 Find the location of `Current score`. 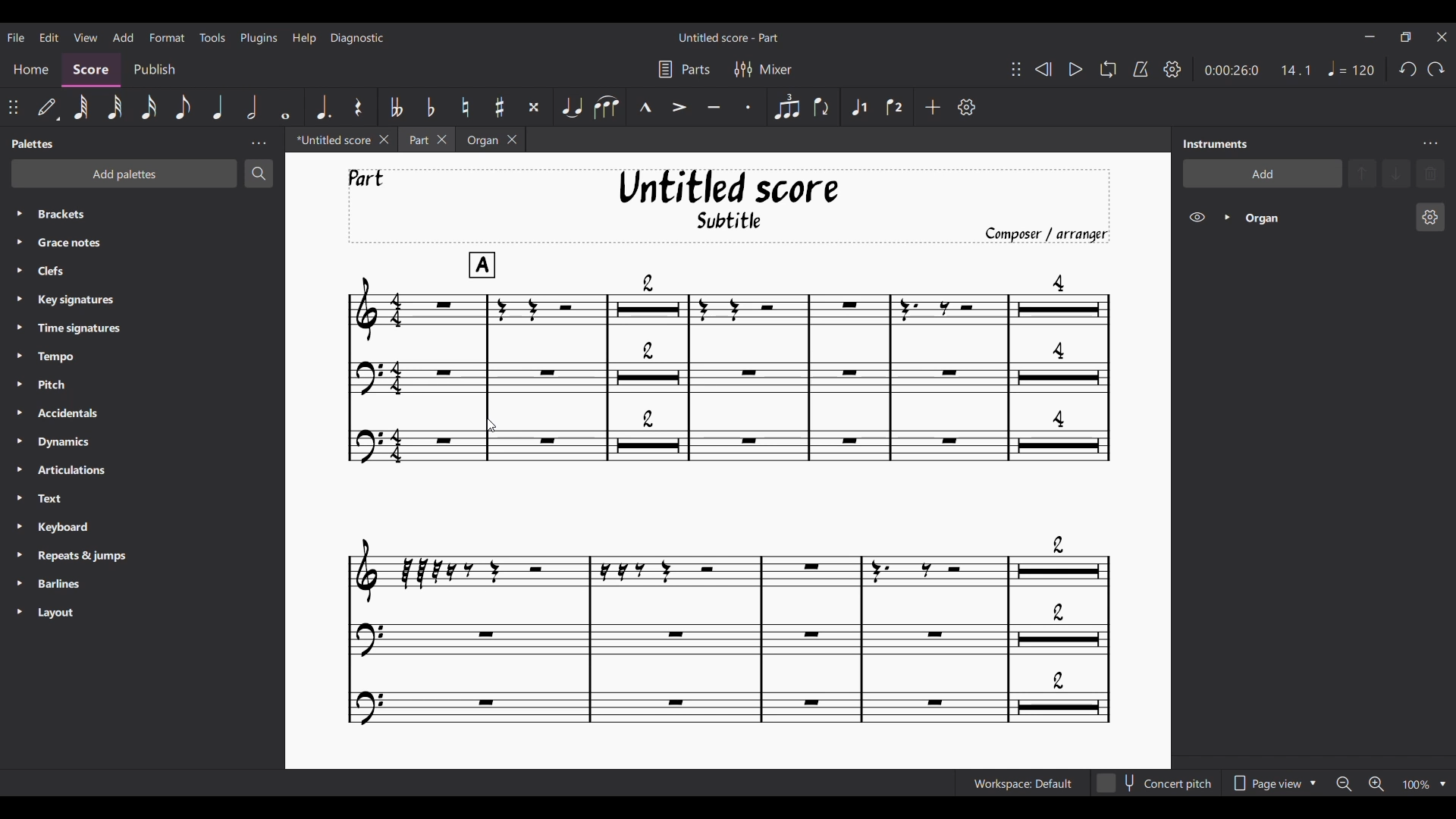

Current score is located at coordinates (729, 489).